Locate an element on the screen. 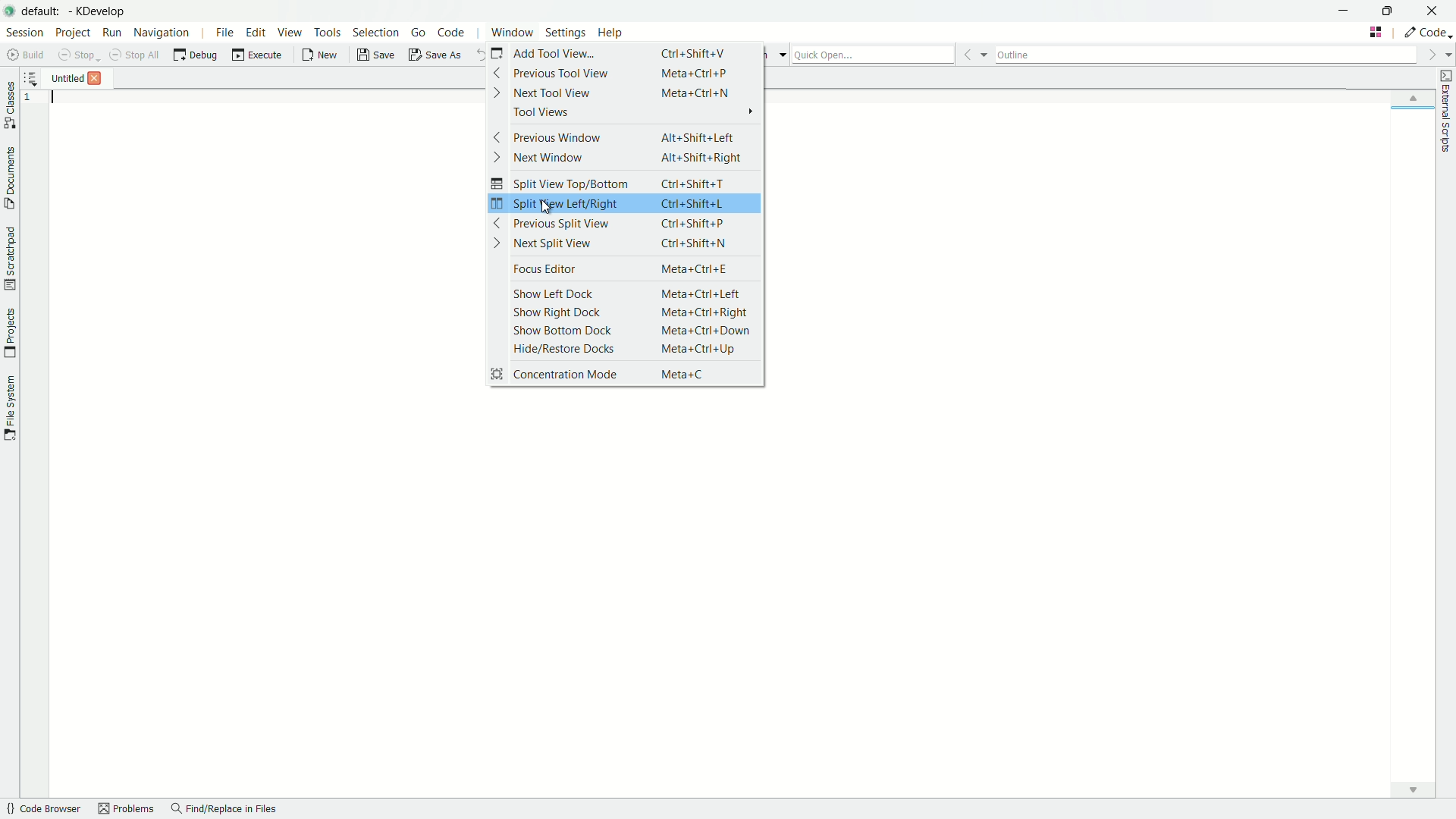 This screenshot has height=819, width=1456. app name is located at coordinates (100, 11).